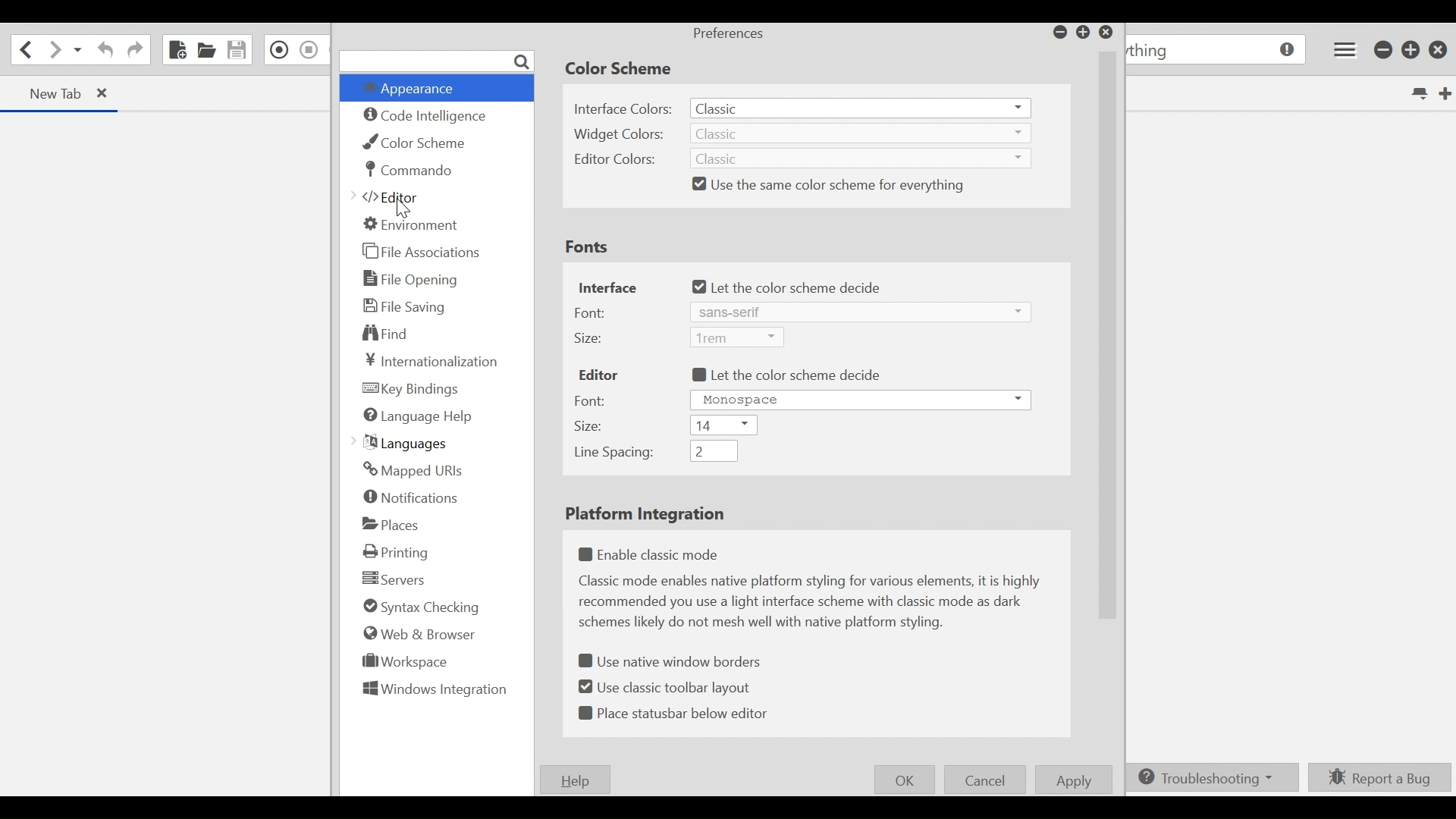 The width and height of the screenshot is (1456, 819). What do you see at coordinates (654, 515) in the screenshot?
I see `Platform Integration` at bounding box center [654, 515].